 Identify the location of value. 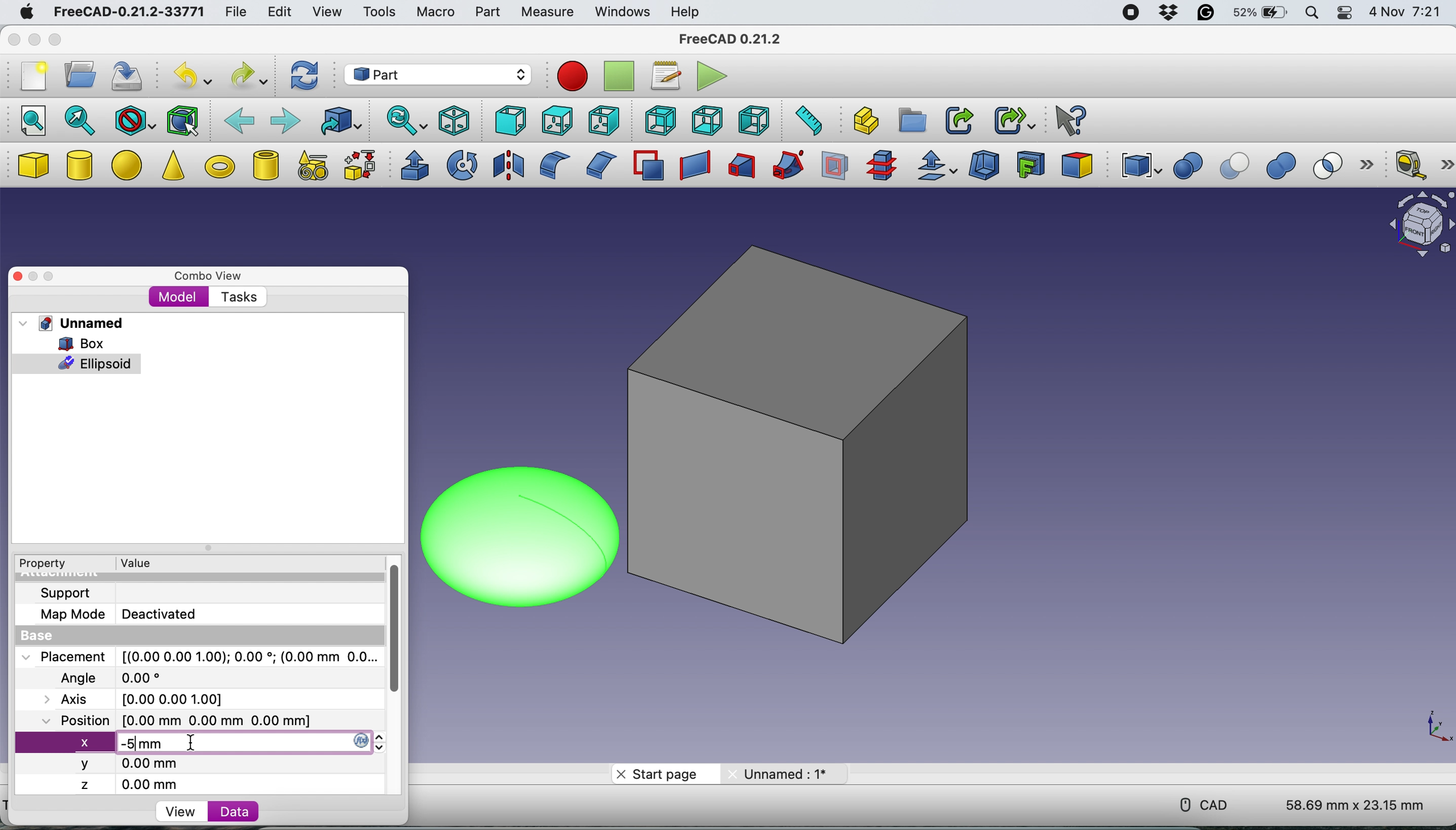
(134, 563).